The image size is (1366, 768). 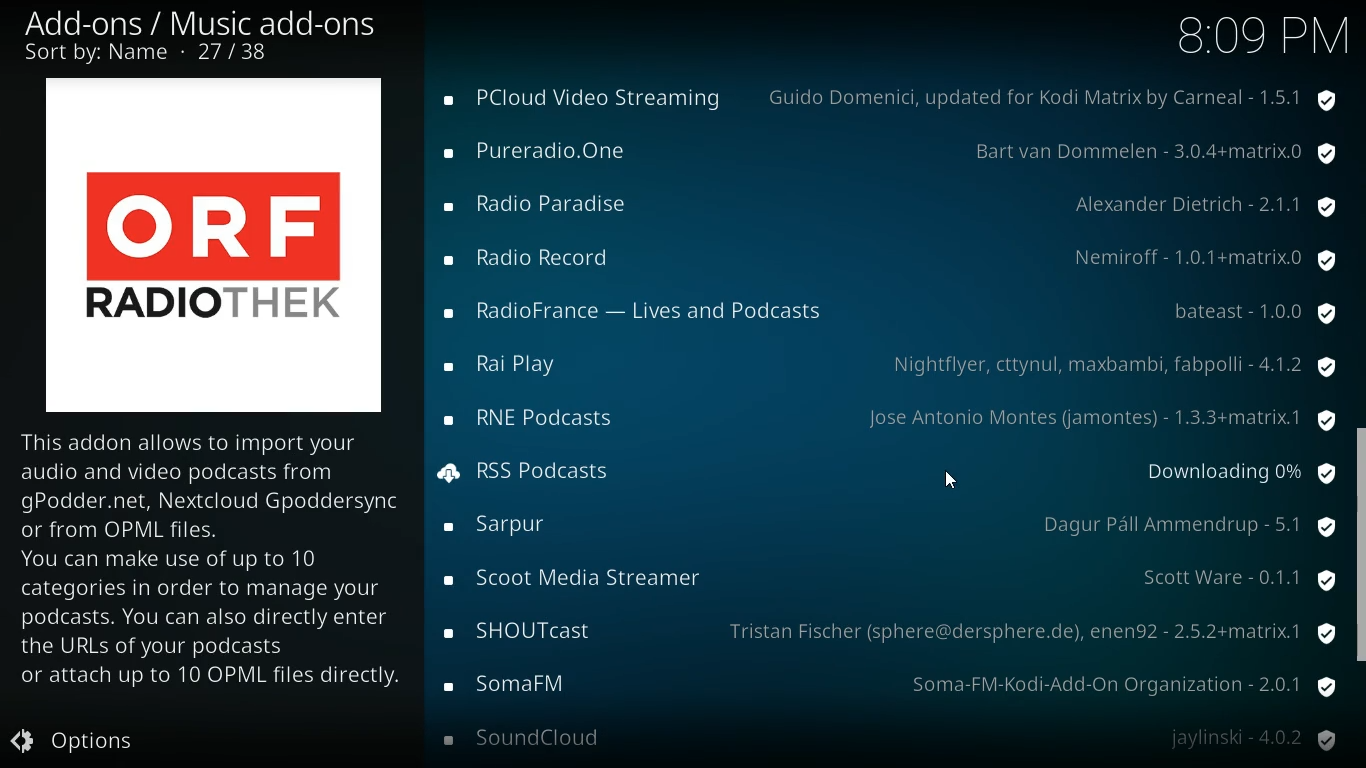 What do you see at coordinates (579, 575) in the screenshot?
I see `s Scoot Media Streamer` at bounding box center [579, 575].